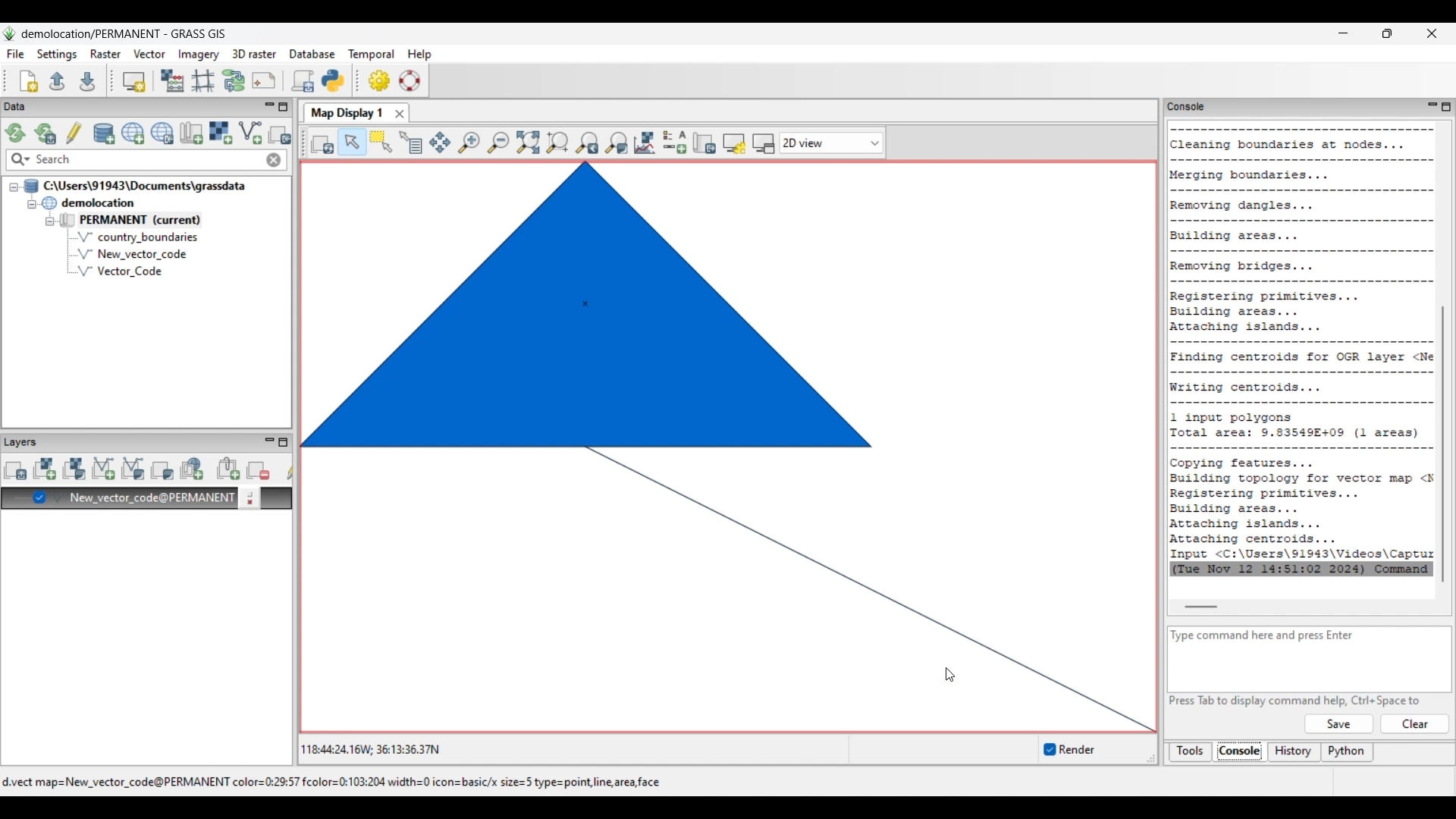 The width and height of the screenshot is (1456, 819). Describe the element at coordinates (284, 442) in the screenshot. I see `Maximize Layers panel` at that location.